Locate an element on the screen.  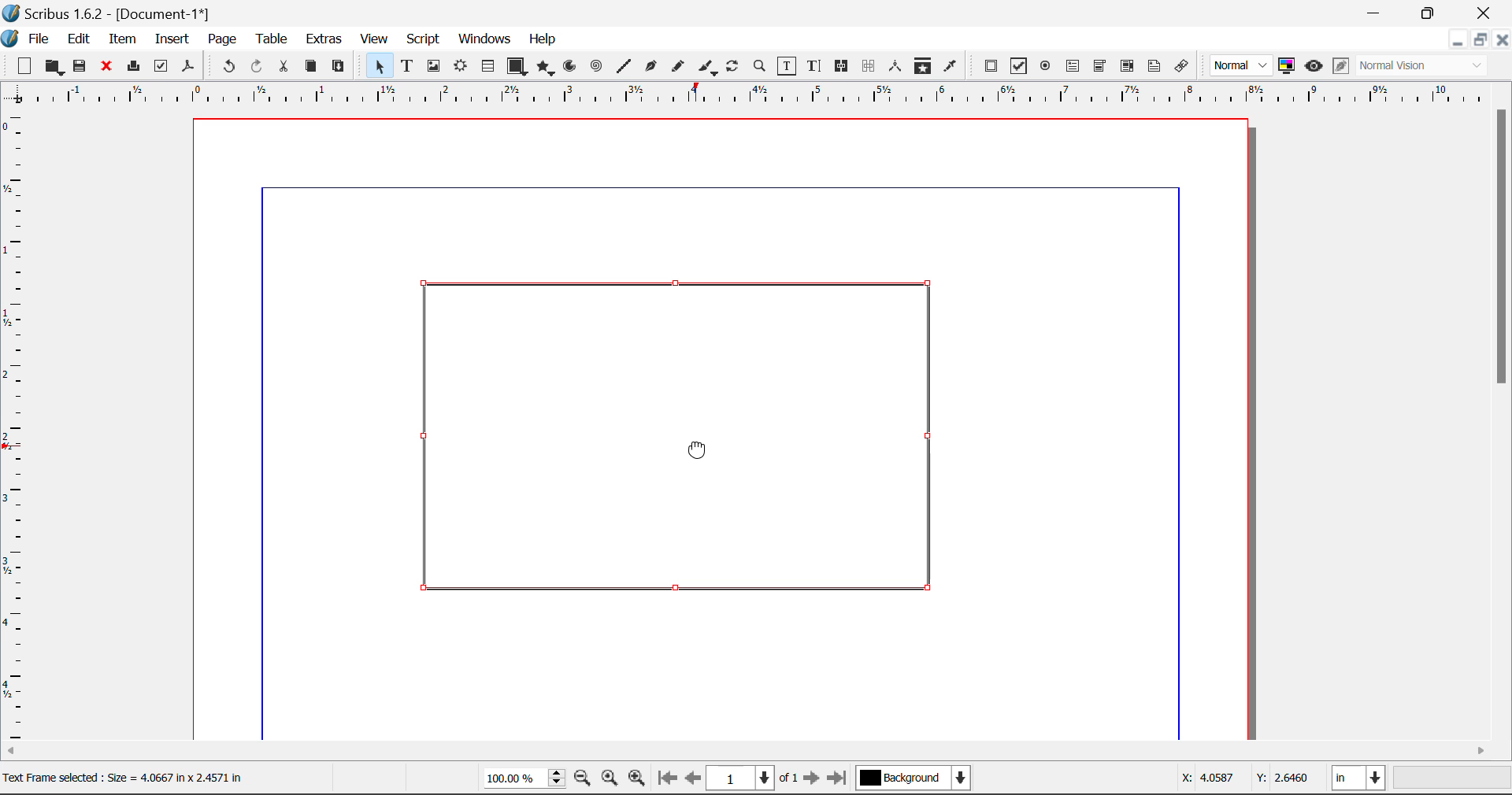
Minimize is located at coordinates (1431, 12).